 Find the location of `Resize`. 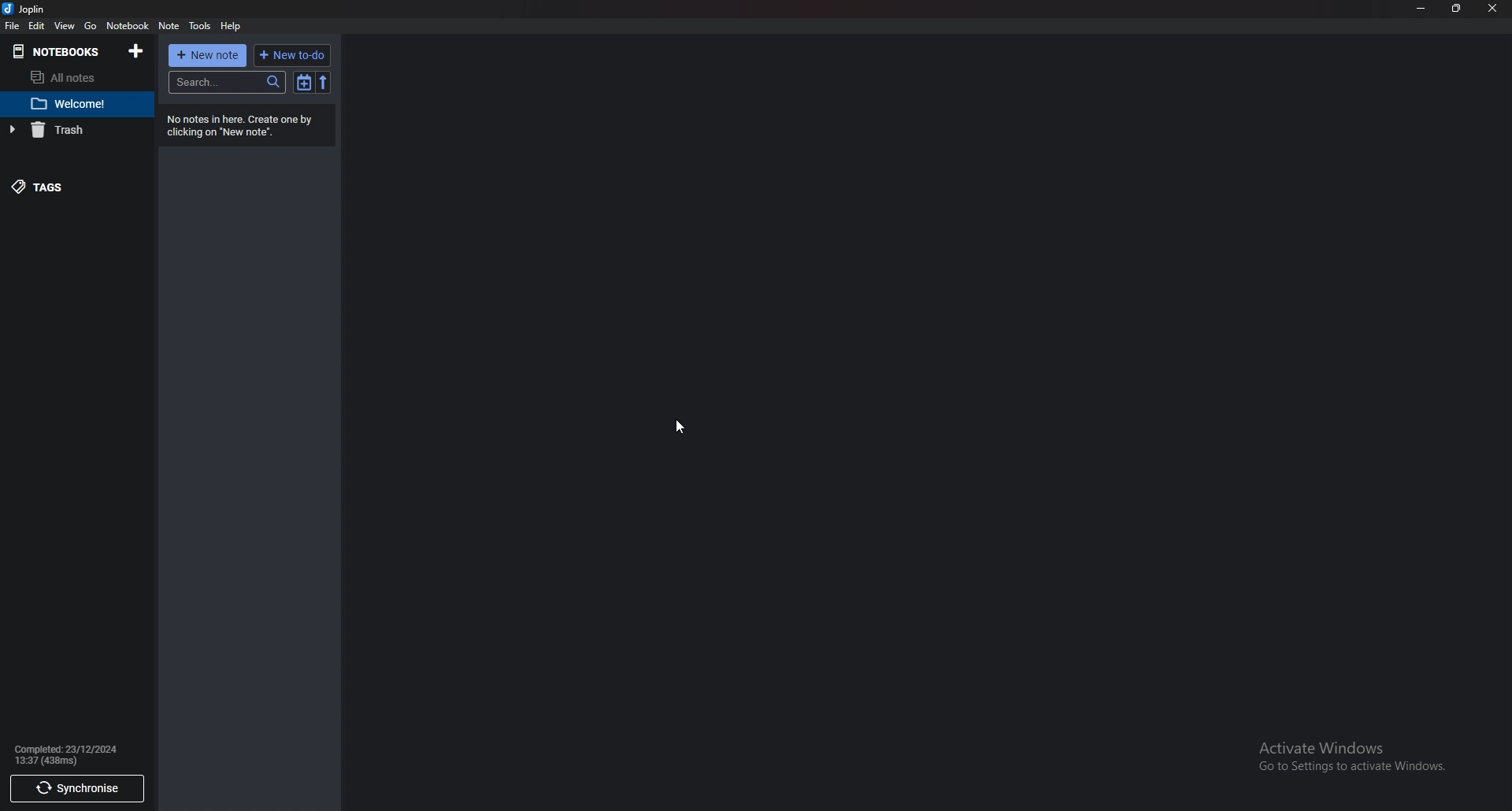

Resize is located at coordinates (1458, 8).